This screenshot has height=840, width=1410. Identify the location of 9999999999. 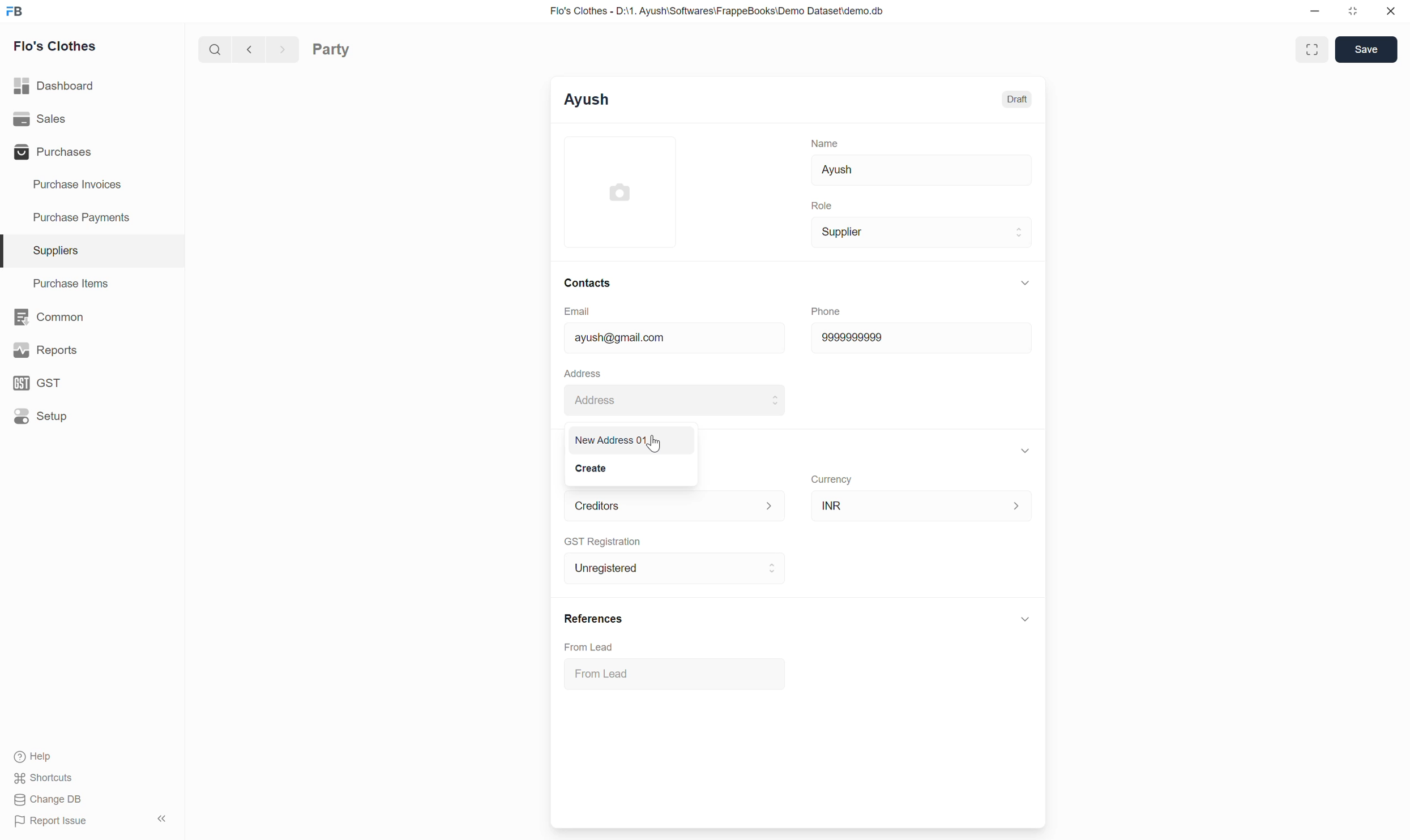
(921, 338).